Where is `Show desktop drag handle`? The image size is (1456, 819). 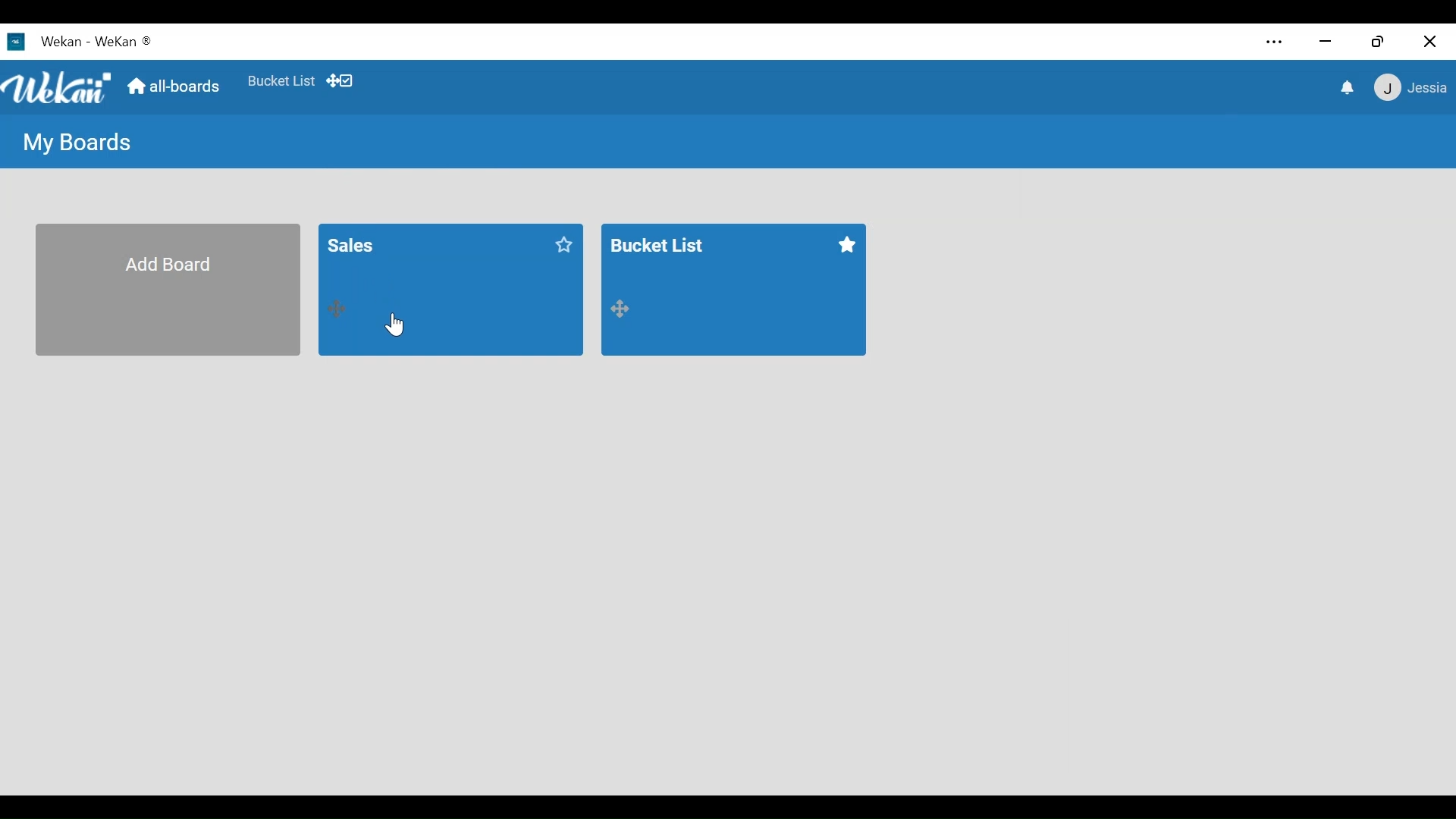 Show desktop drag handle is located at coordinates (340, 80).